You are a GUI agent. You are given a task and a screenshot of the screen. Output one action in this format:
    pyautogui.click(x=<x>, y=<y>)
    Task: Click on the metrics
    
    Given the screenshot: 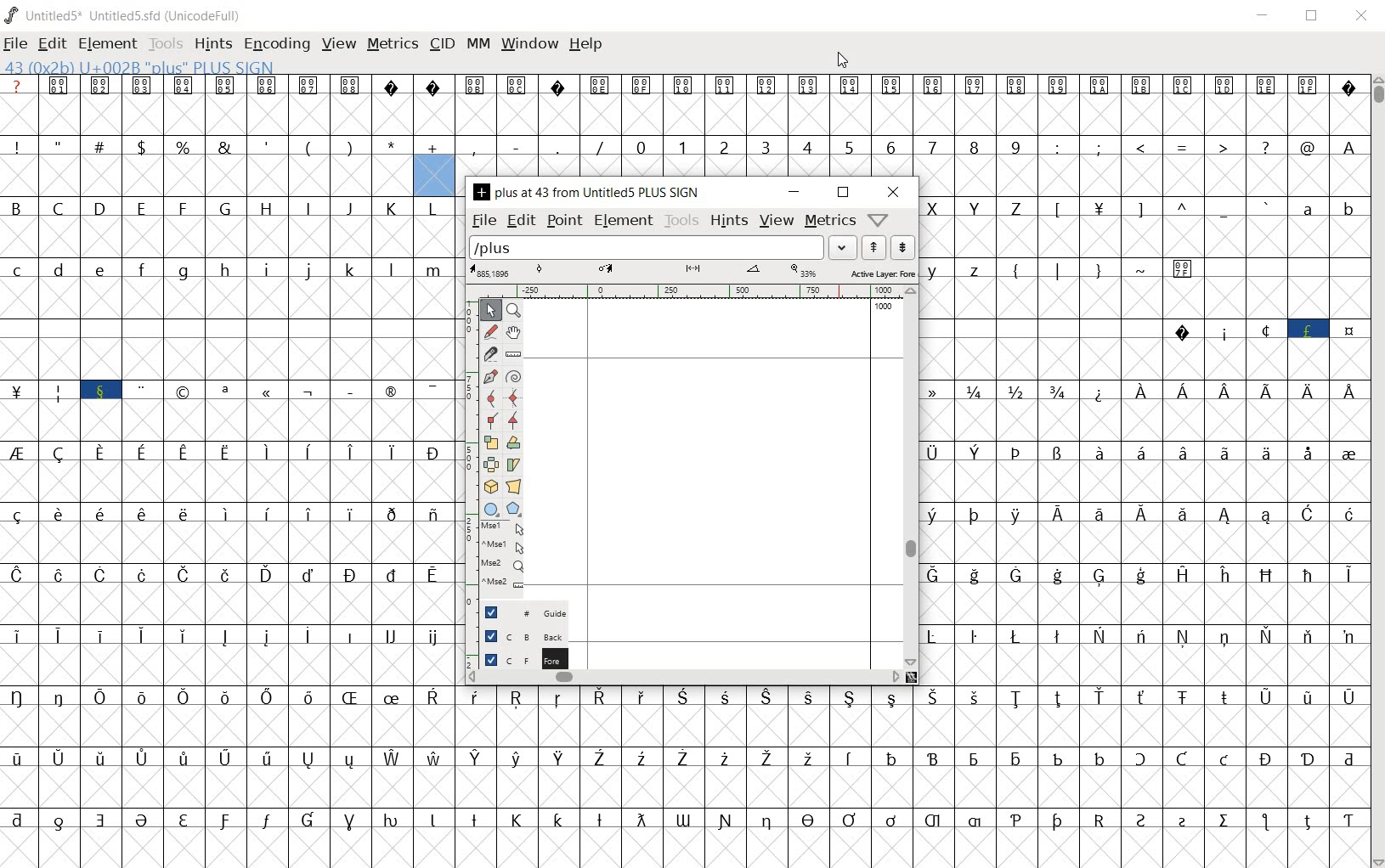 What is the action you would take?
    pyautogui.click(x=828, y=222)
    